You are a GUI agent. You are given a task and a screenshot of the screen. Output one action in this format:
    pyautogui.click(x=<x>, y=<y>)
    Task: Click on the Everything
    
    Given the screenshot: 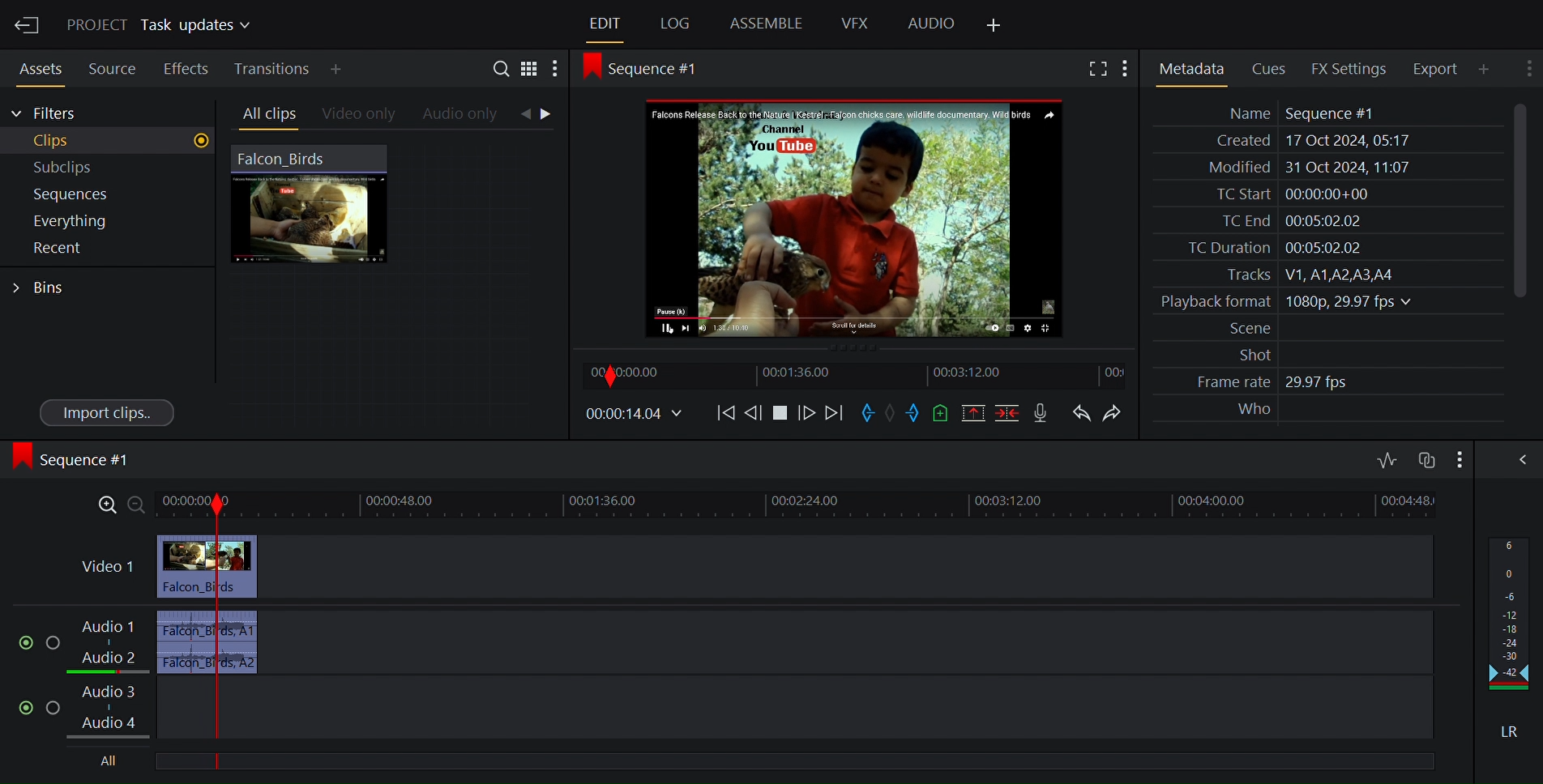 What is the action you would take?
    pyautogui.click(x=98, y=222)
    